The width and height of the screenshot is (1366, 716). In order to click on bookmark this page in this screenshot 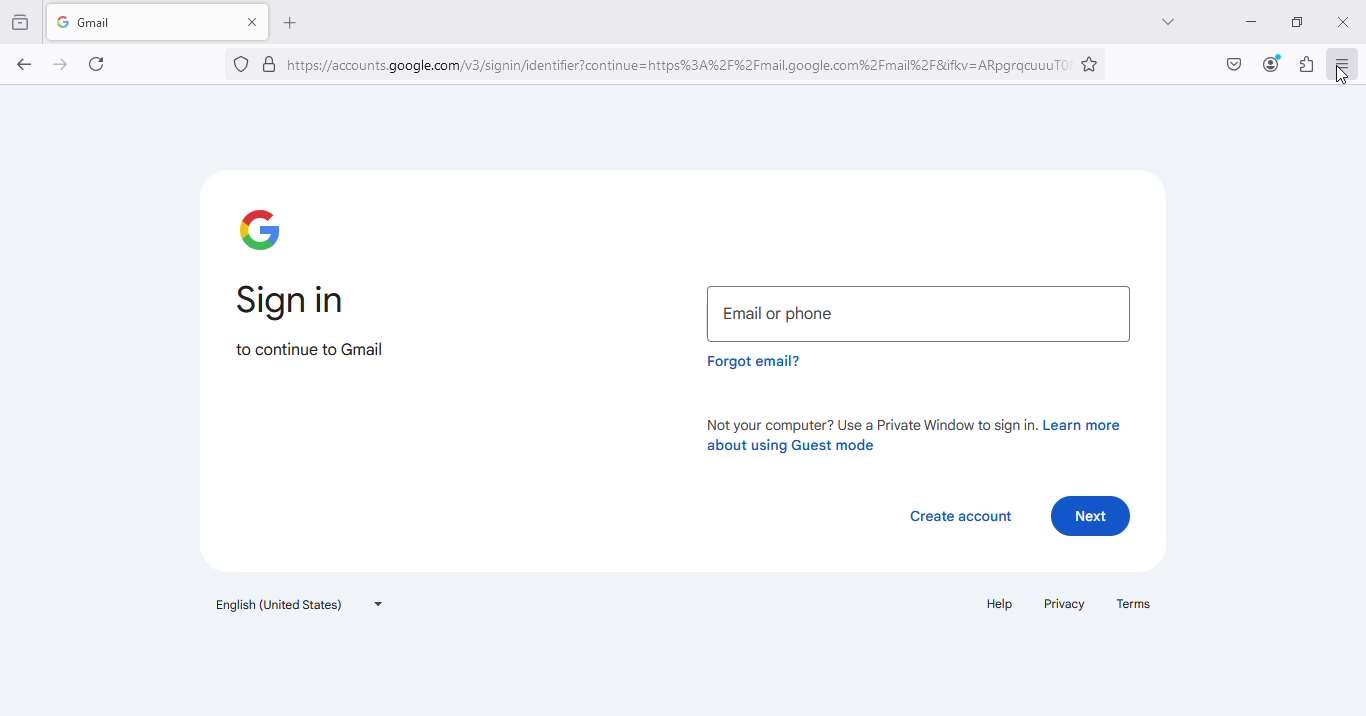, I will do `click(1090, 65)`.